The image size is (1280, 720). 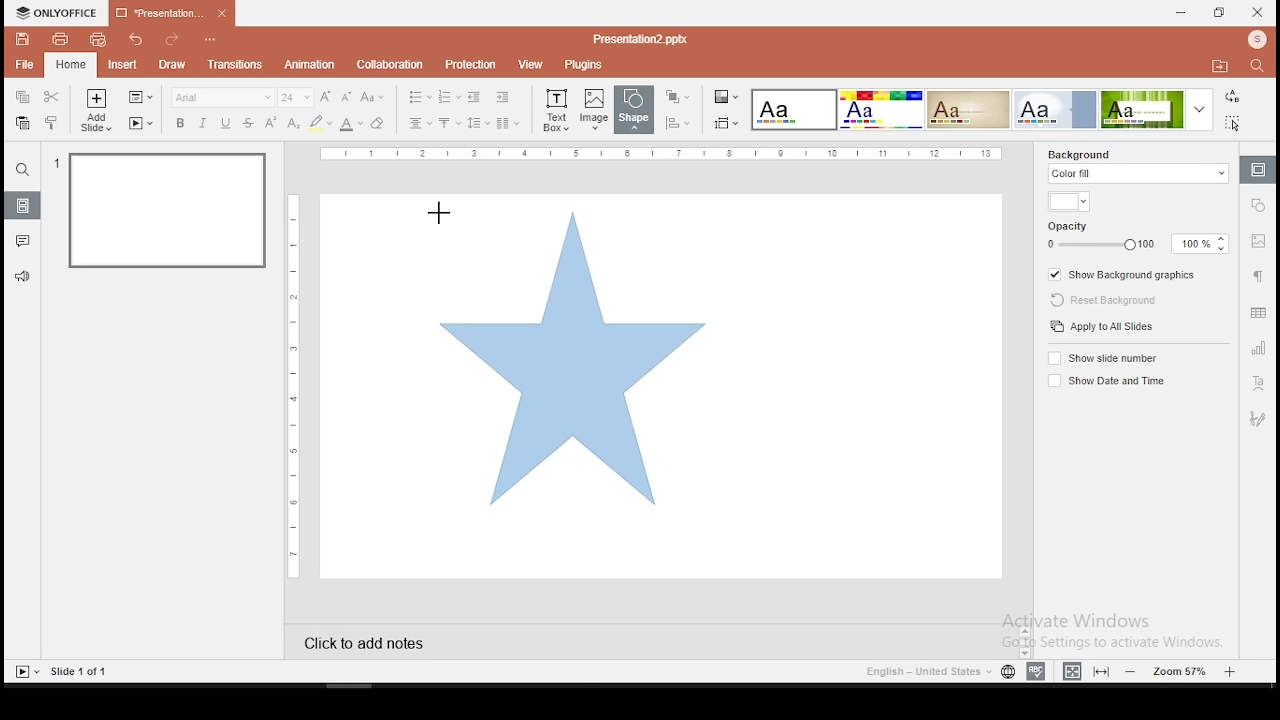 What do you see at coordinates (52, 122) in the screenshot?
I see `clone formatting` at bounding box center [52, 122].